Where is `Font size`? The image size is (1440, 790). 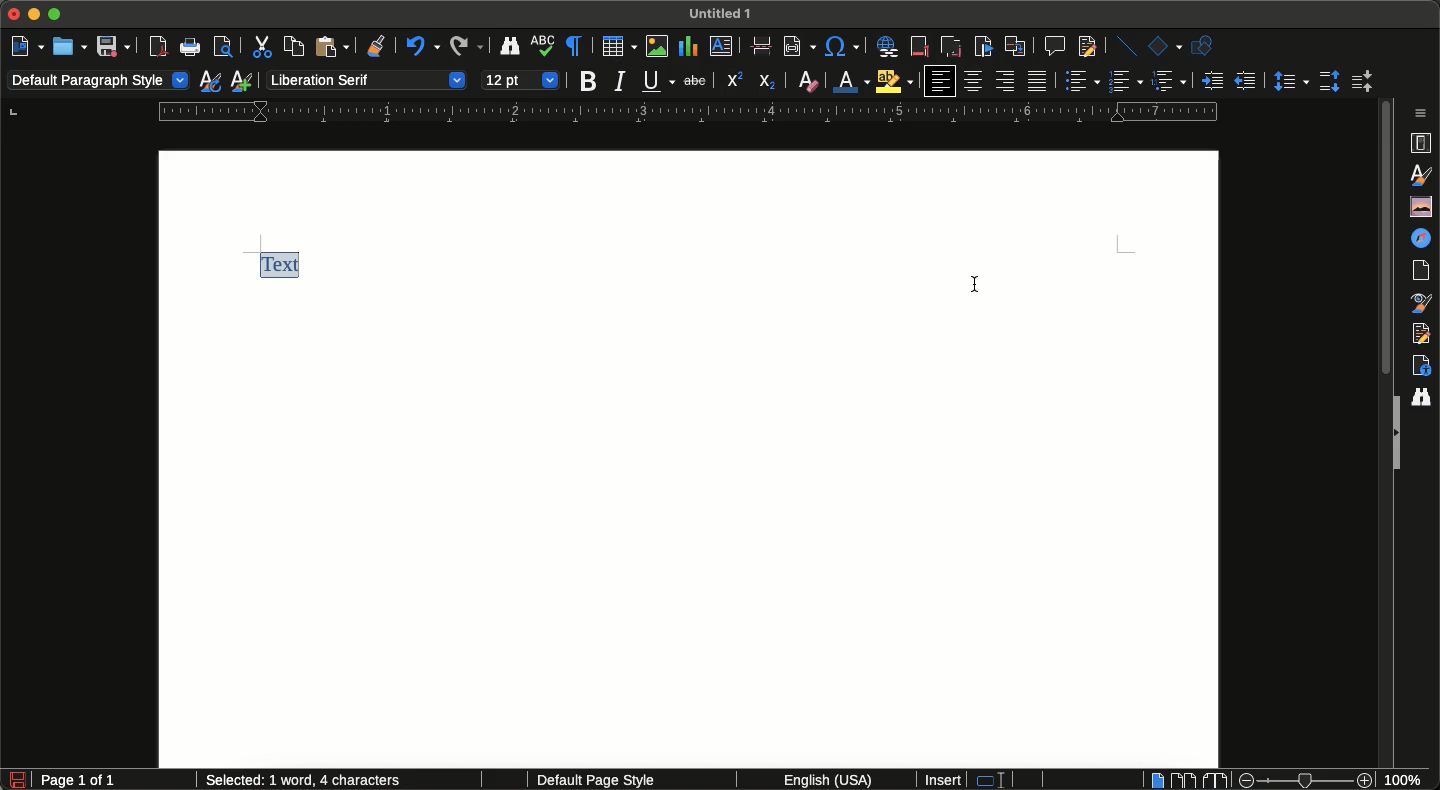
Font size is located at coordinates (521, 78).